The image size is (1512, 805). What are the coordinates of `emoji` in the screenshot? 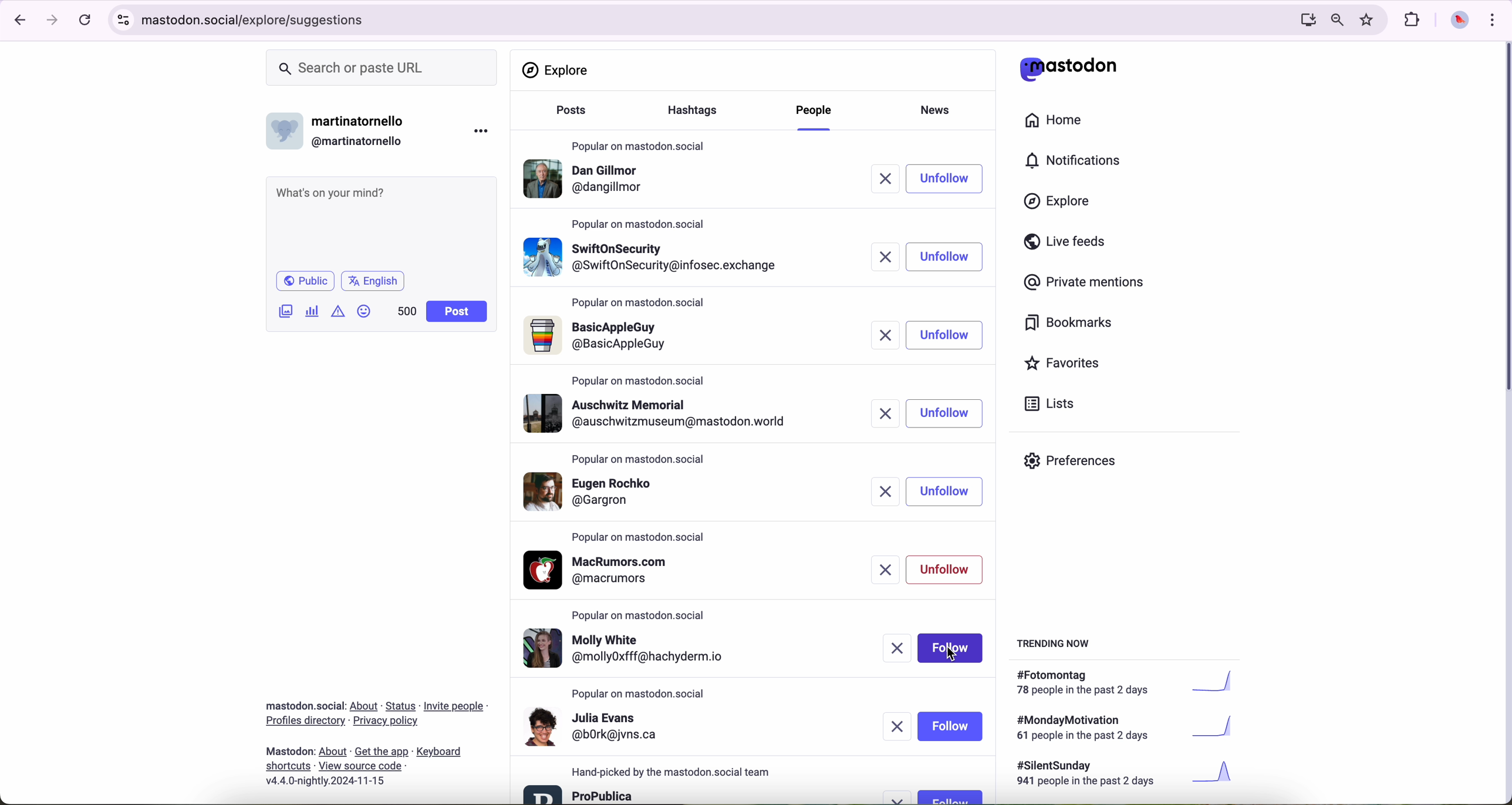 It's located at (365, 311).